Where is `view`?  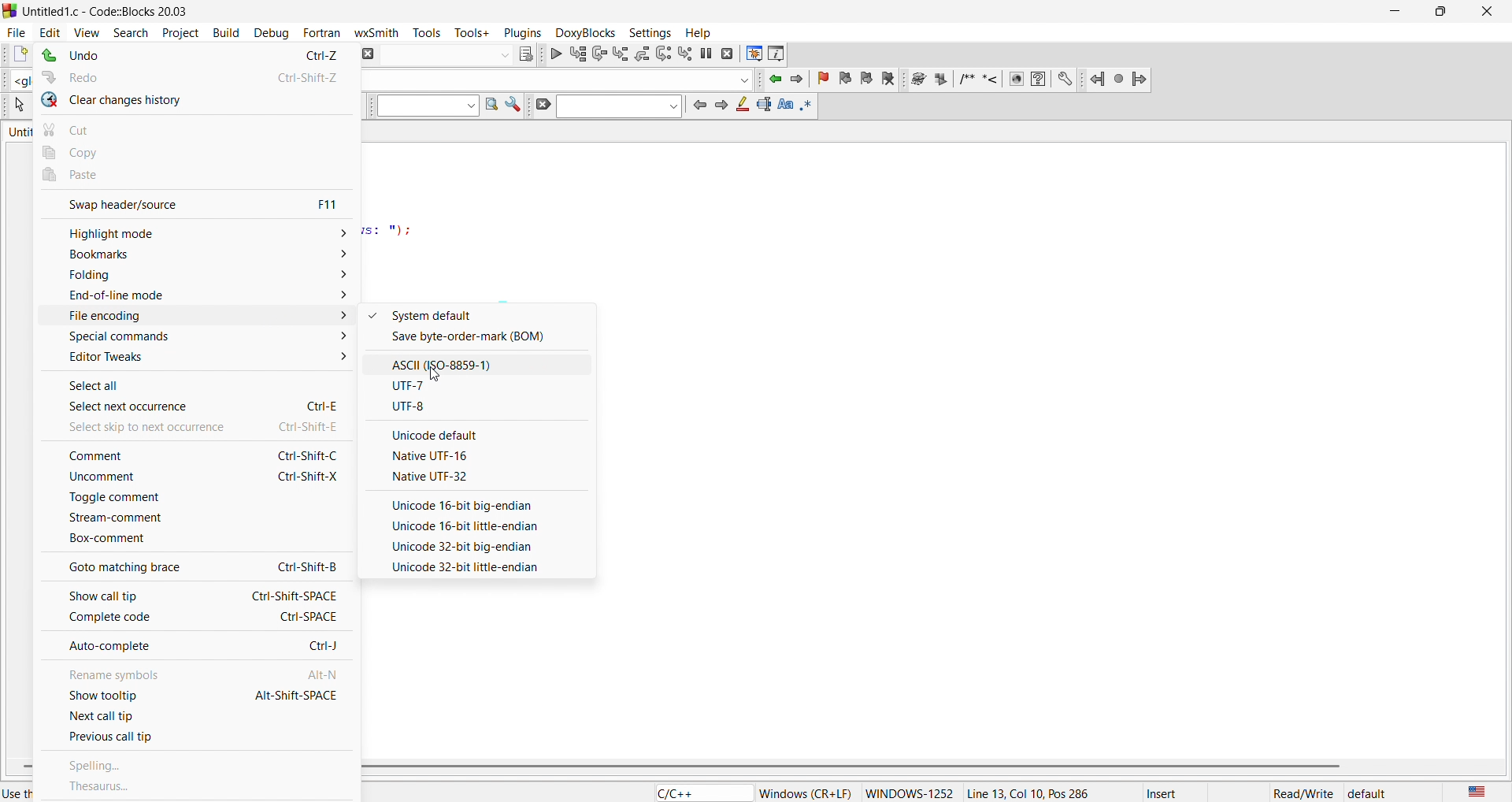 view is located at coordinates (88, 33).